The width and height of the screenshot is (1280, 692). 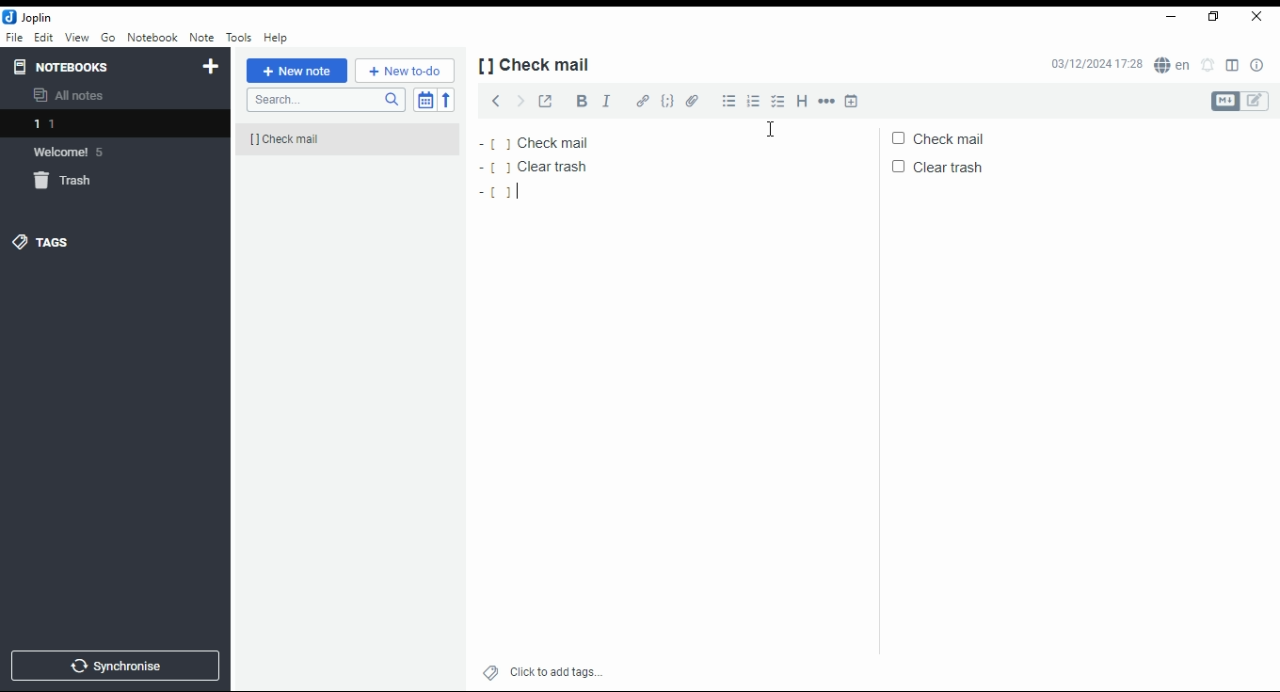 I want to click on bold, so click(x=578, y=101).